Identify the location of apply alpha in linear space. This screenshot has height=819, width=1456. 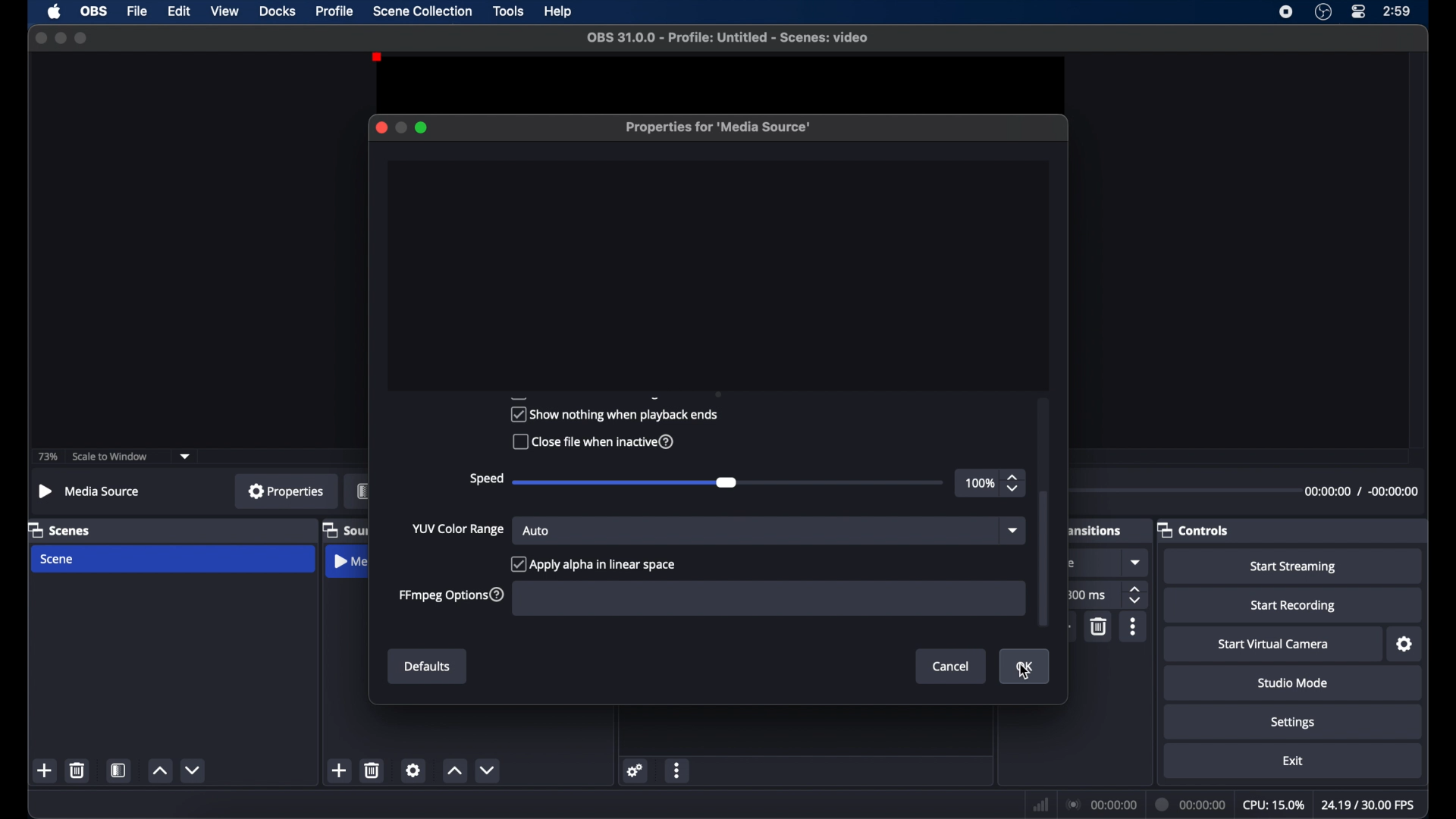
(593, 564).